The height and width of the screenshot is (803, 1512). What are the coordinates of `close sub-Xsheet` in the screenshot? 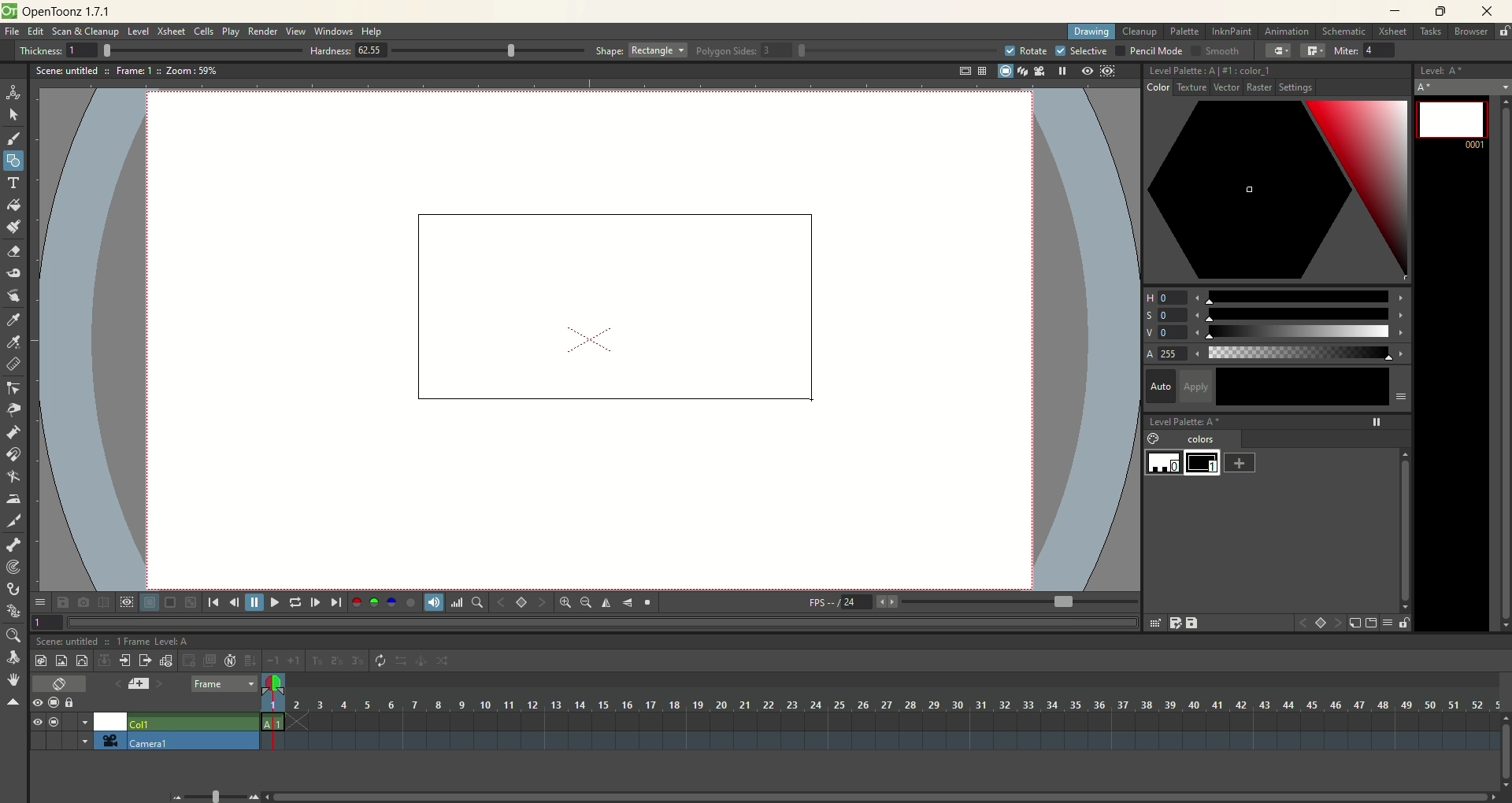 It's located at (146, 661).